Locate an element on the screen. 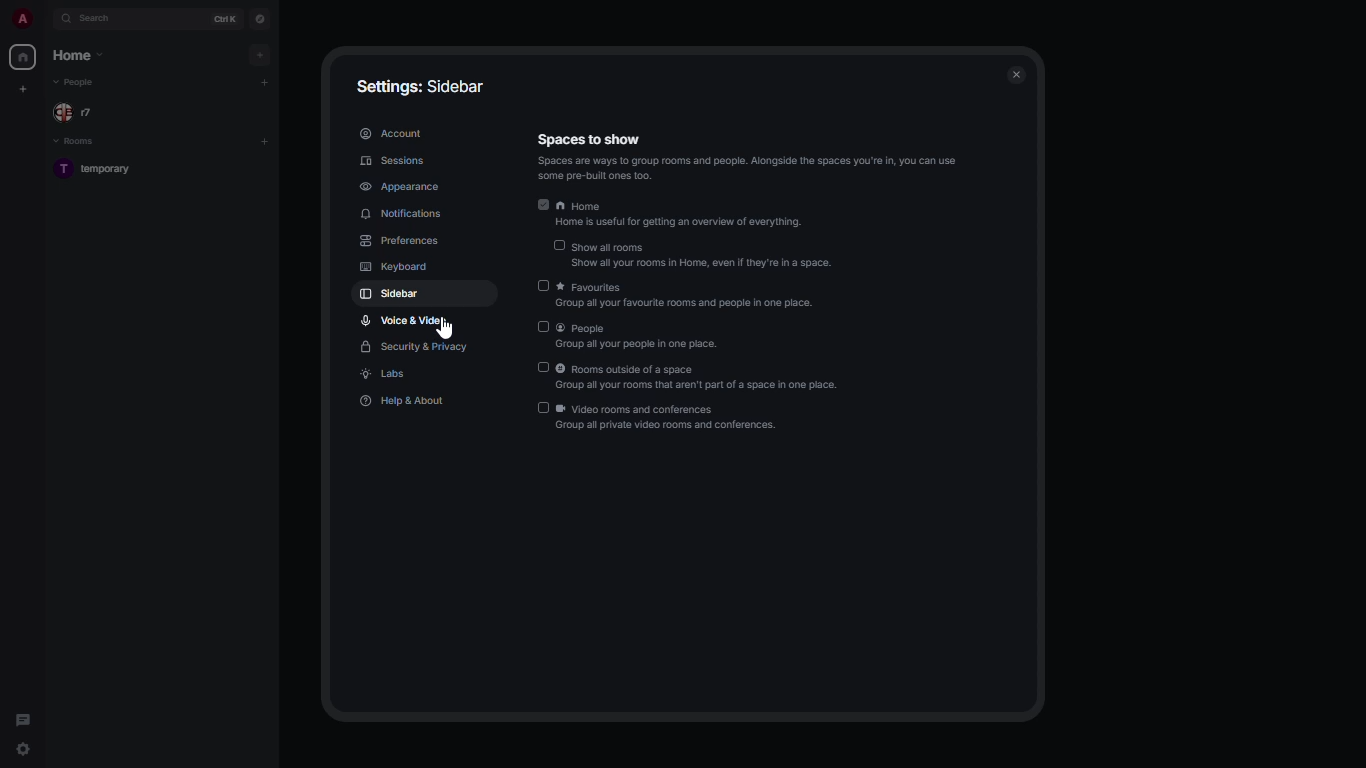  home is located at coordinates (640, 207).